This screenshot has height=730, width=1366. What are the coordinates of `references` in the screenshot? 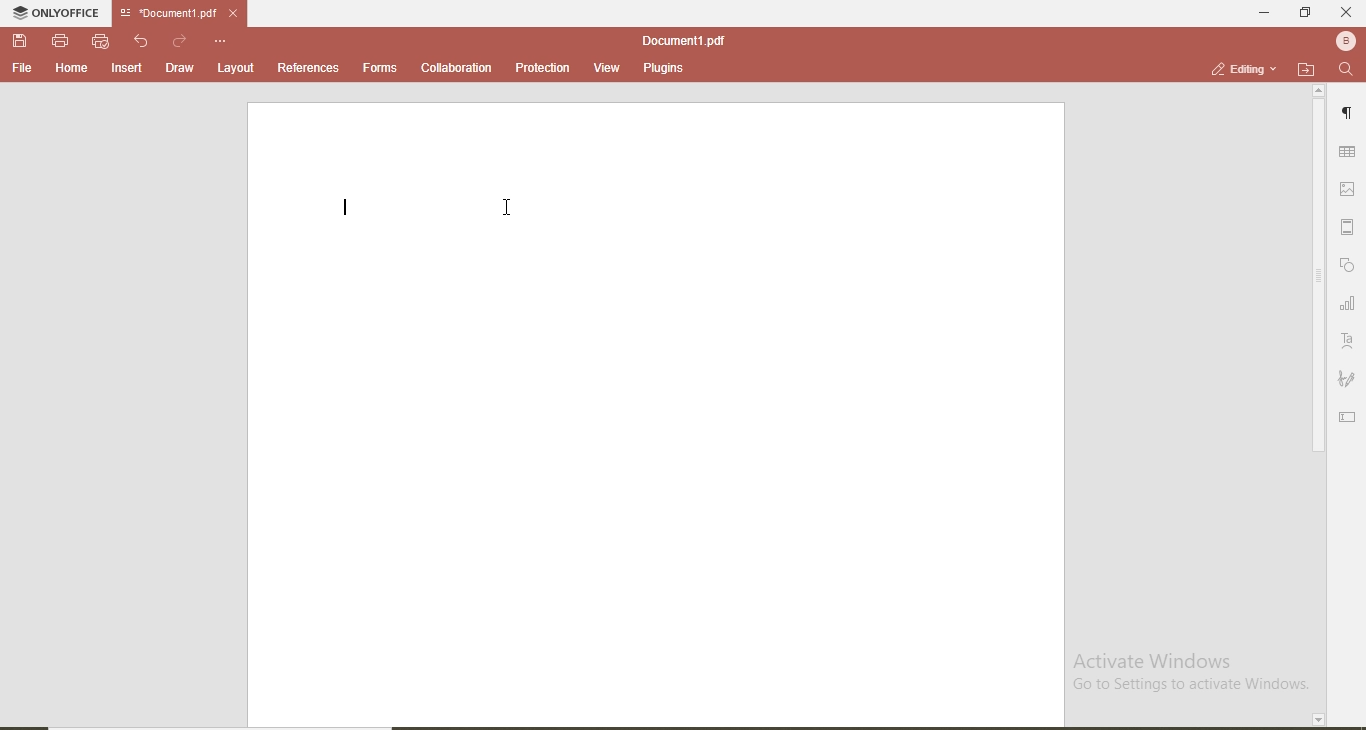 It's located at (309, 69).